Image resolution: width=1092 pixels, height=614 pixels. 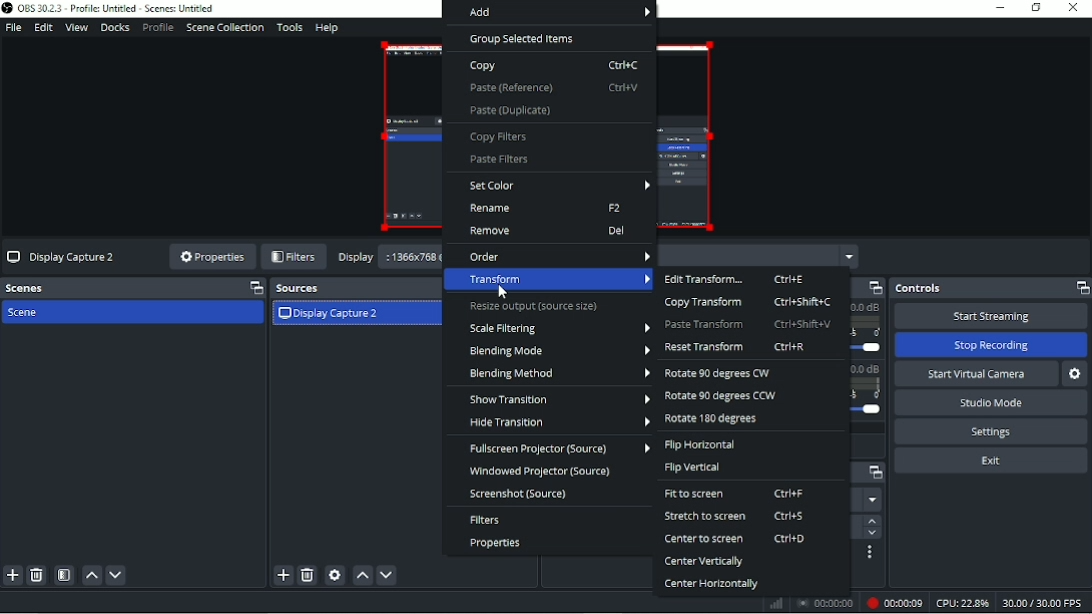 I want to click on Studio mode, so click(x=991, y=403).